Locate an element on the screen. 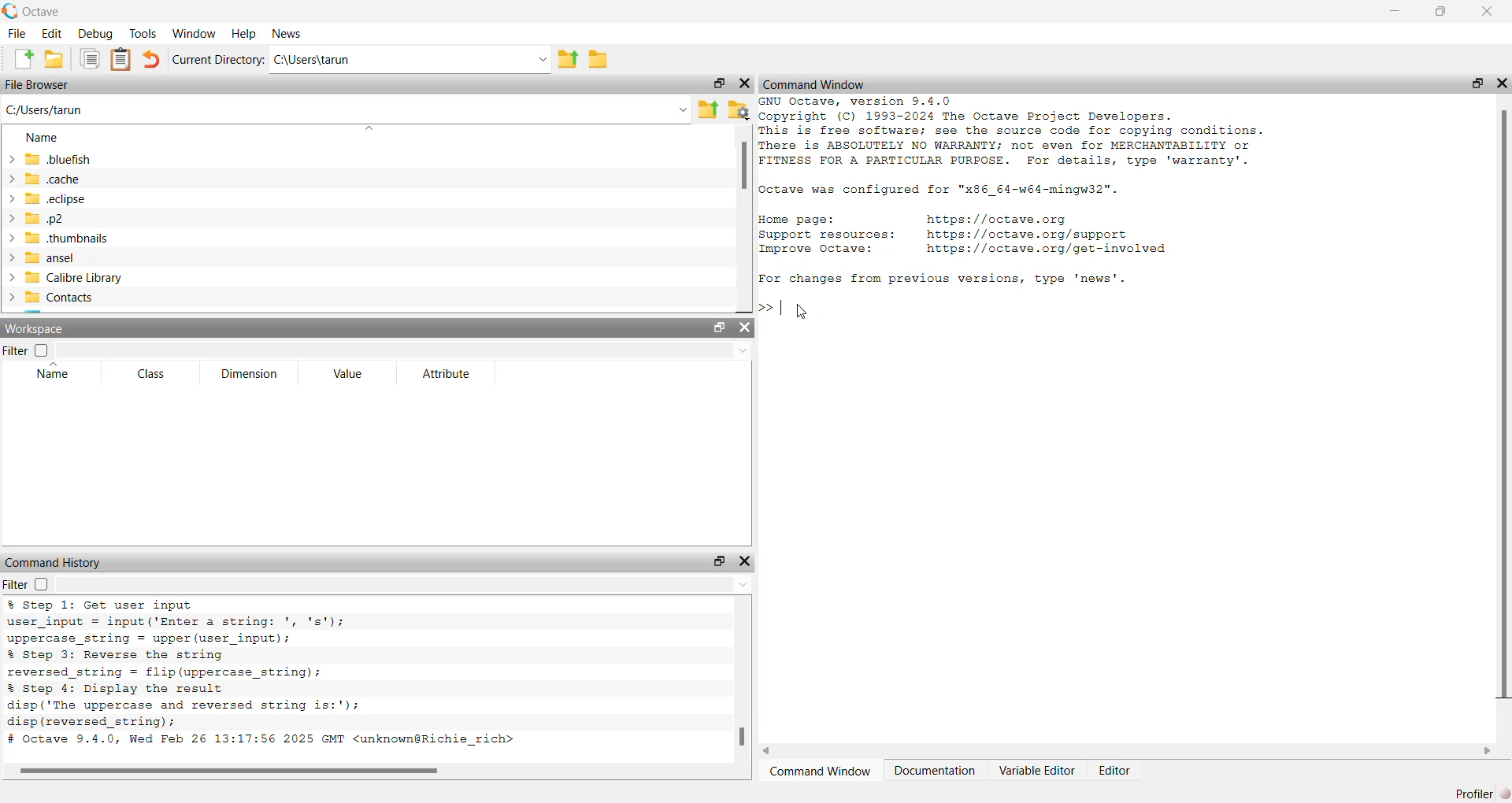  tools is located at coordinates (146, 33).